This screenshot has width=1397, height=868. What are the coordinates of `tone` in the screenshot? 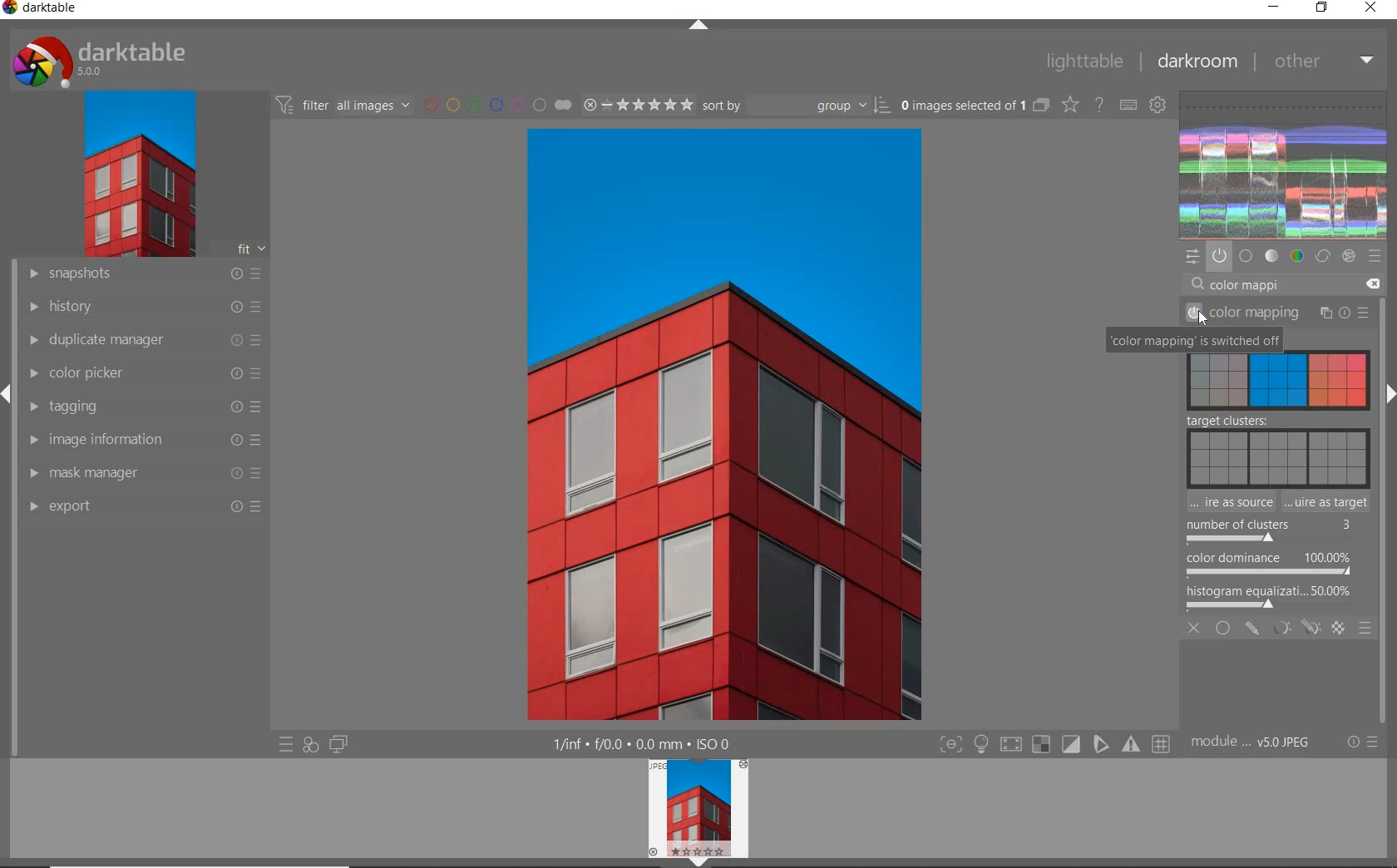 It's located at (1271, 257).